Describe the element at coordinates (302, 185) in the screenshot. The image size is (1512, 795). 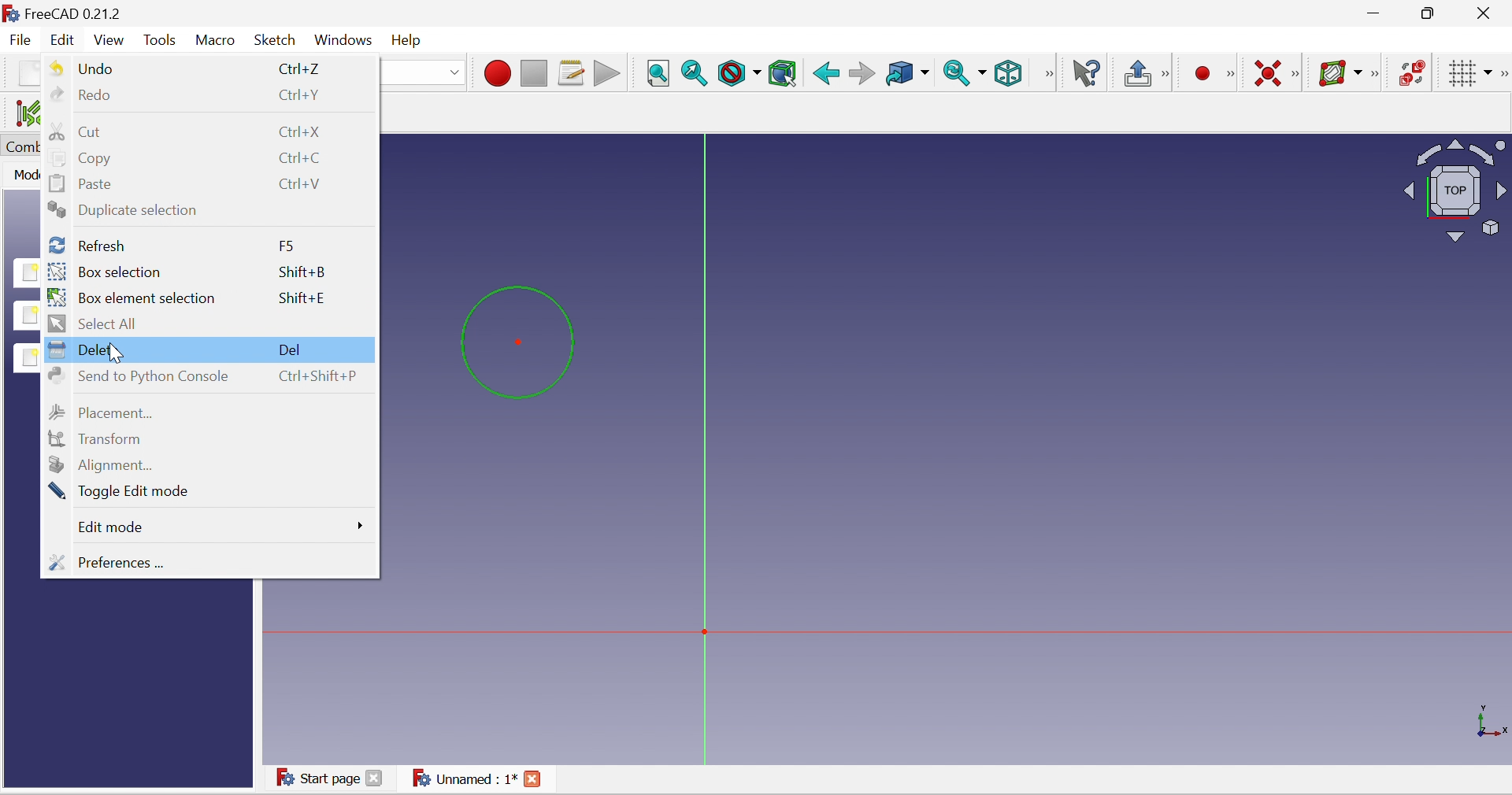
I see `Ctrl+V` at that location.